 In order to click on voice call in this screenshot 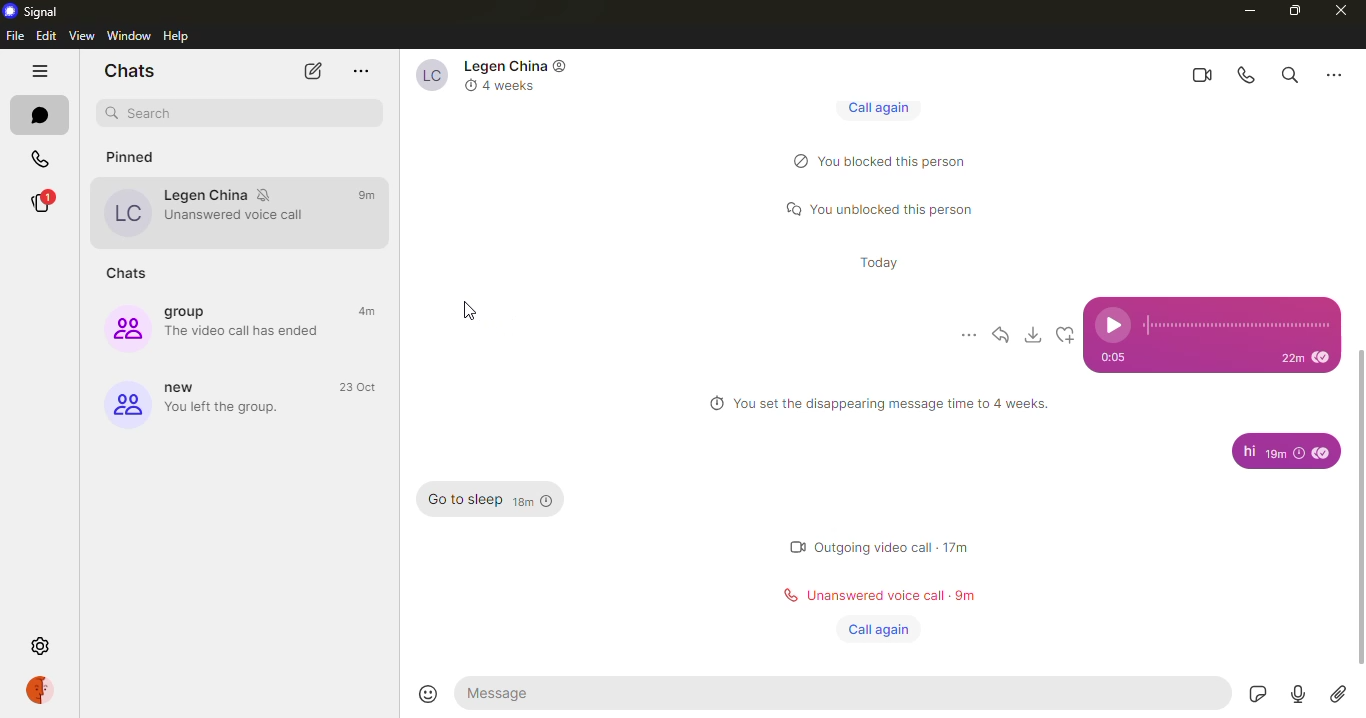, I will do `click(1242, 75)`.